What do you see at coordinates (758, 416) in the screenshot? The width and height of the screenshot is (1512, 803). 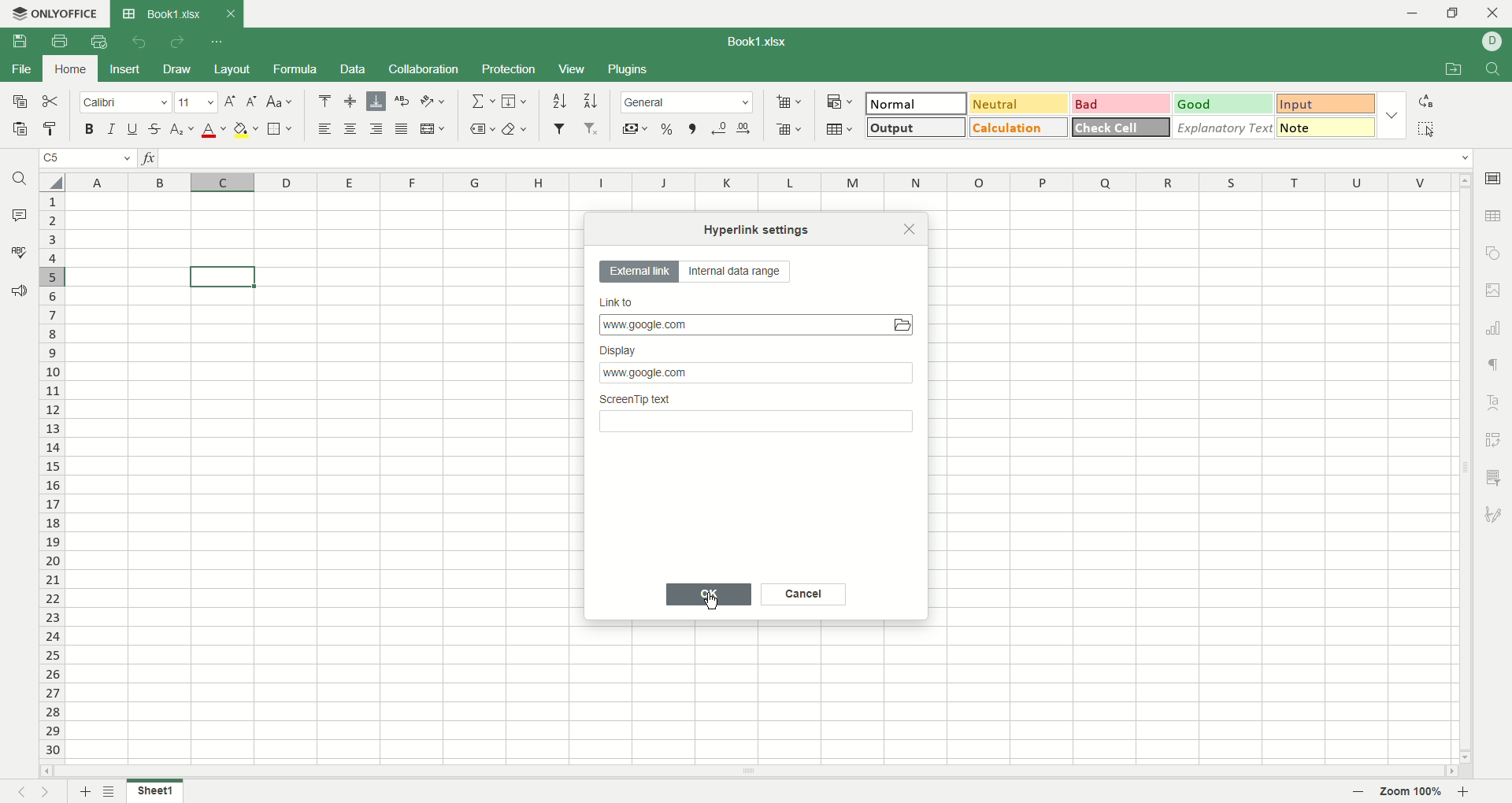 I see `screen tip text` at bounding box center [758, 416].